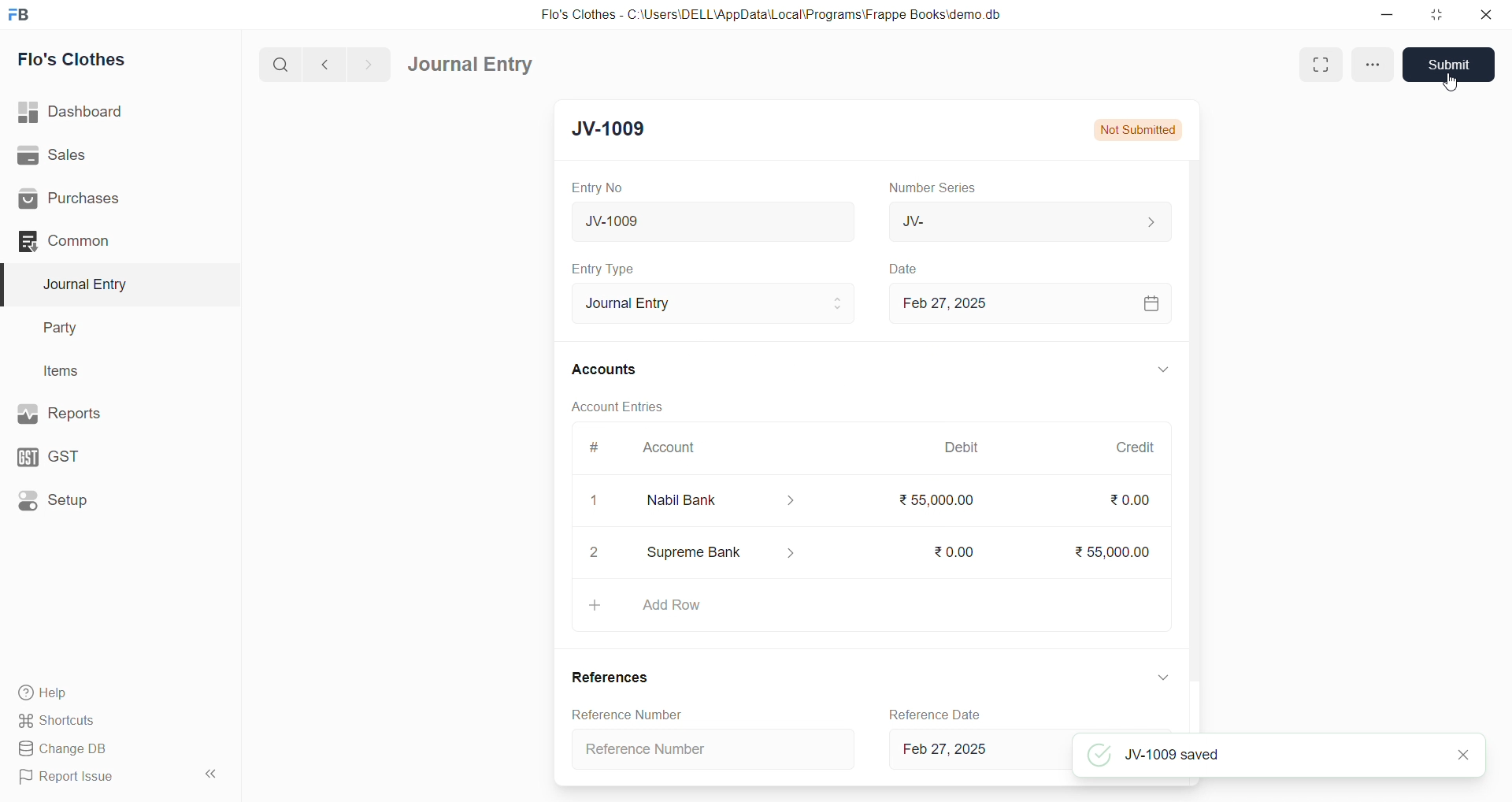 The width and height of the screenshot is (1512, 802). I want to click on VERTICAL SCROLL BAR, so click(1195, 447).